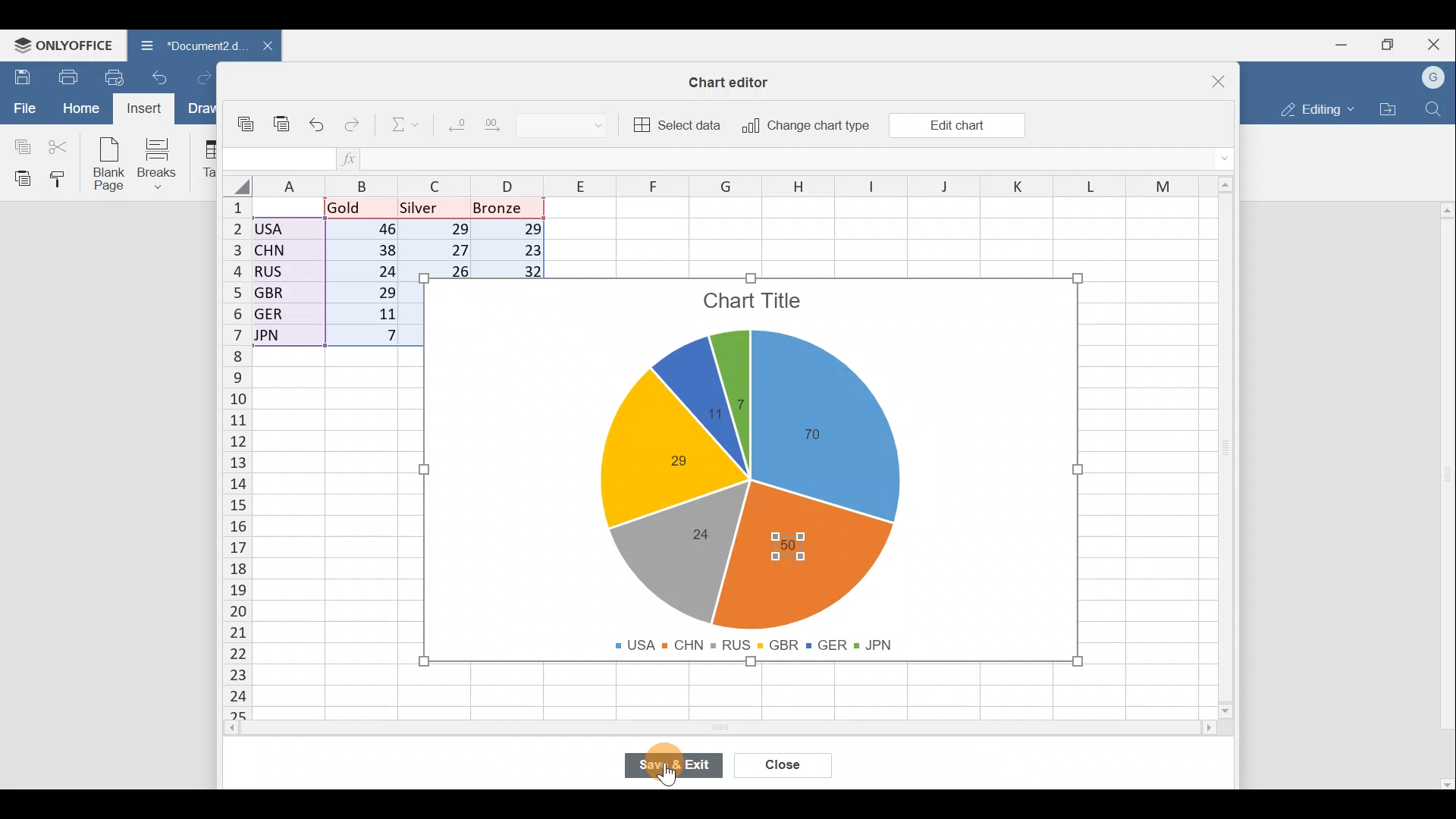 The height and width of the screenshot is (819, 1456). Describe the element at coordinates (1232, 452) in the screenshot. I see `Scroll bar` at that location.